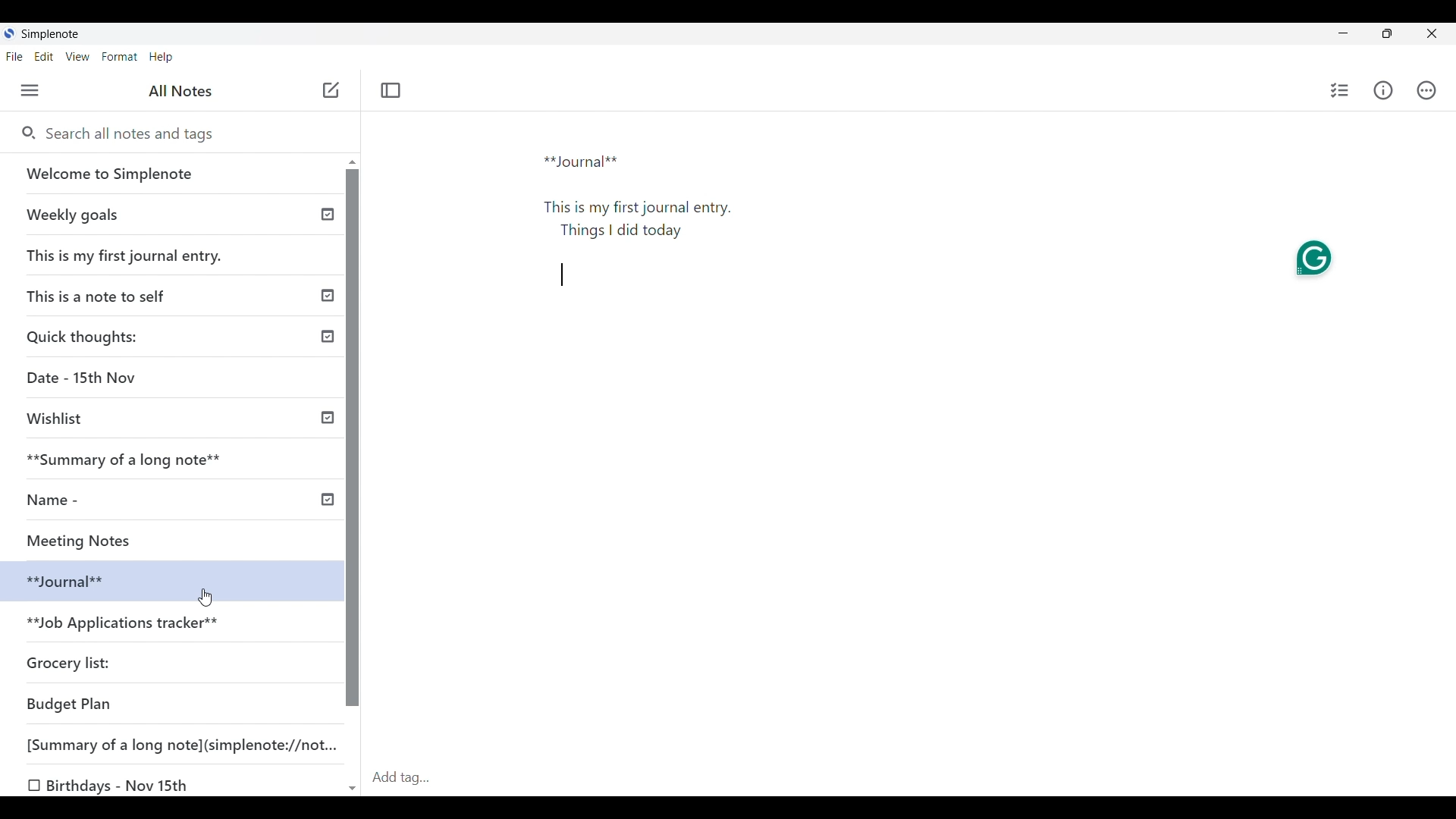  Describe the element at coordinates (30, 90) in the screenshot. I see `Menu` at that location.